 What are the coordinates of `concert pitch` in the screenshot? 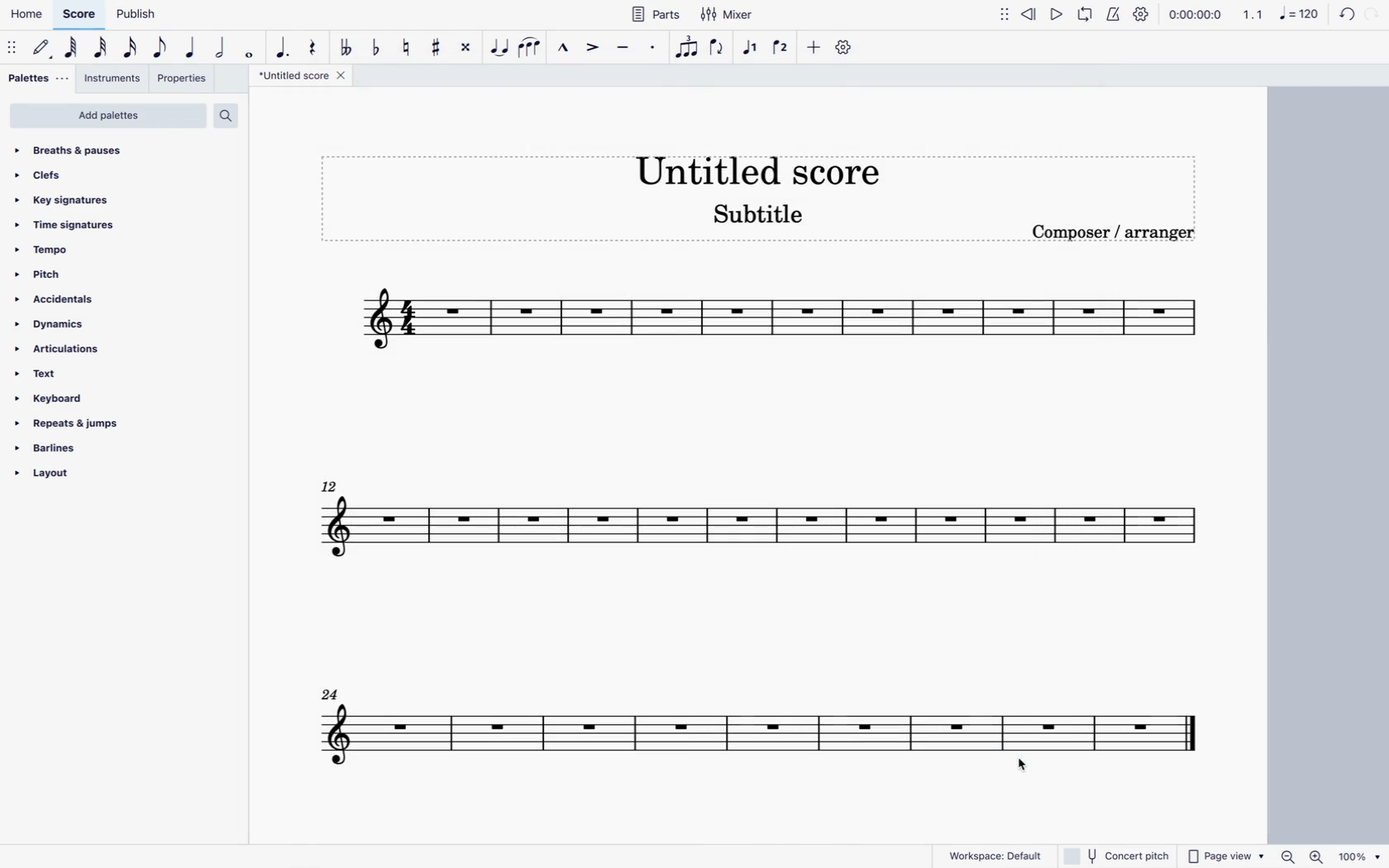 It's located at (1115, 855).